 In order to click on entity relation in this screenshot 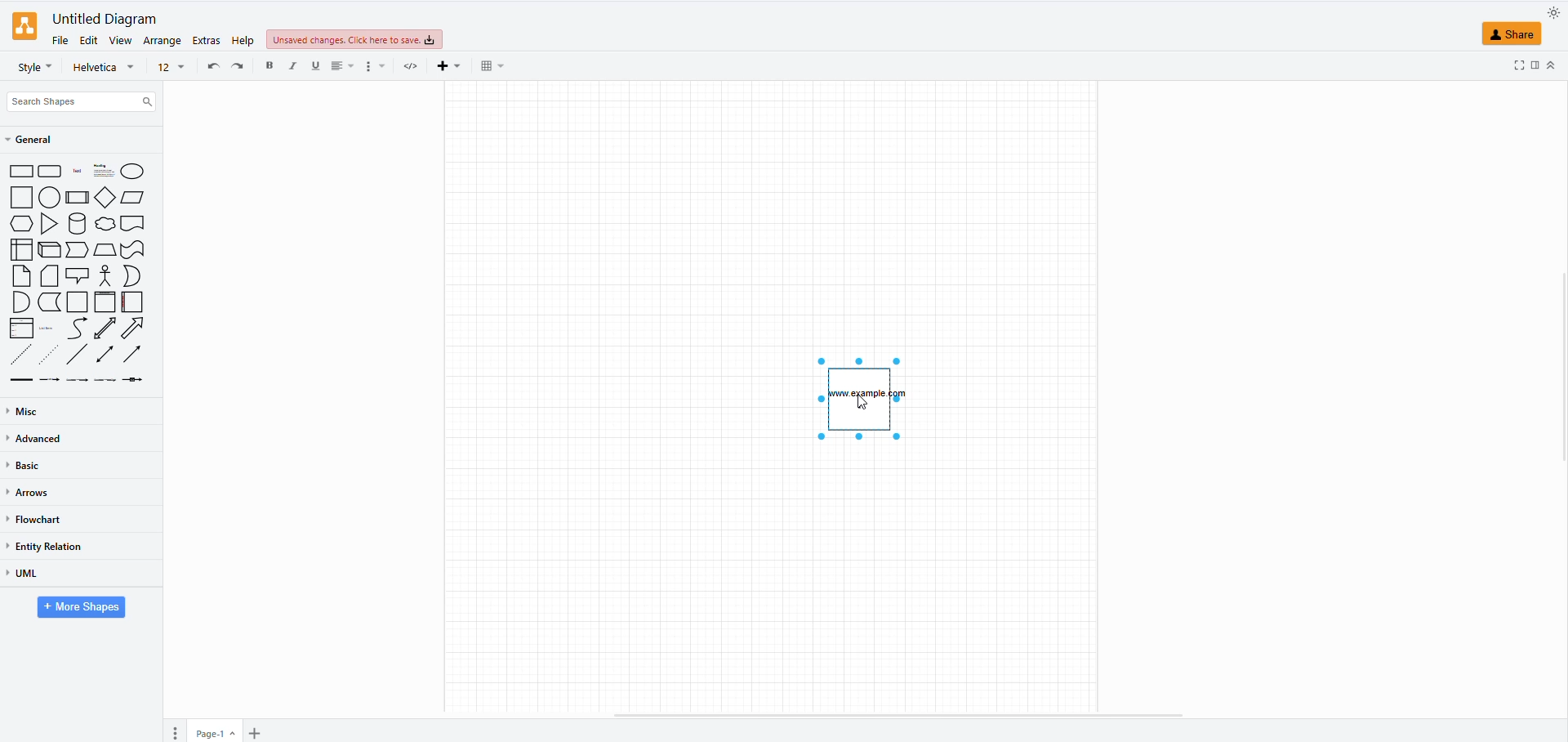, I will do `click(49, 546)`.